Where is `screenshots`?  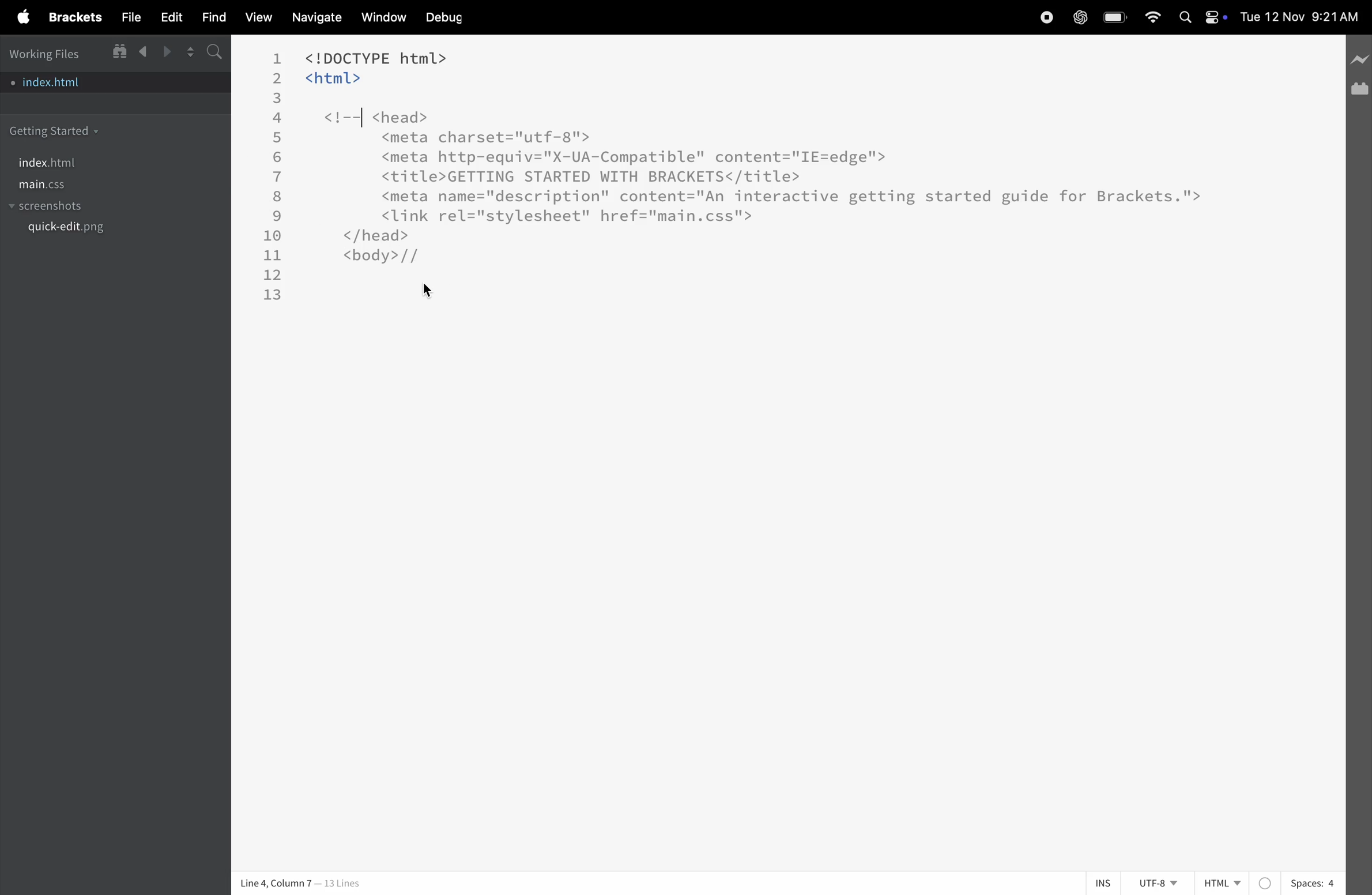
screenshots is located at coordinates (62, 205).